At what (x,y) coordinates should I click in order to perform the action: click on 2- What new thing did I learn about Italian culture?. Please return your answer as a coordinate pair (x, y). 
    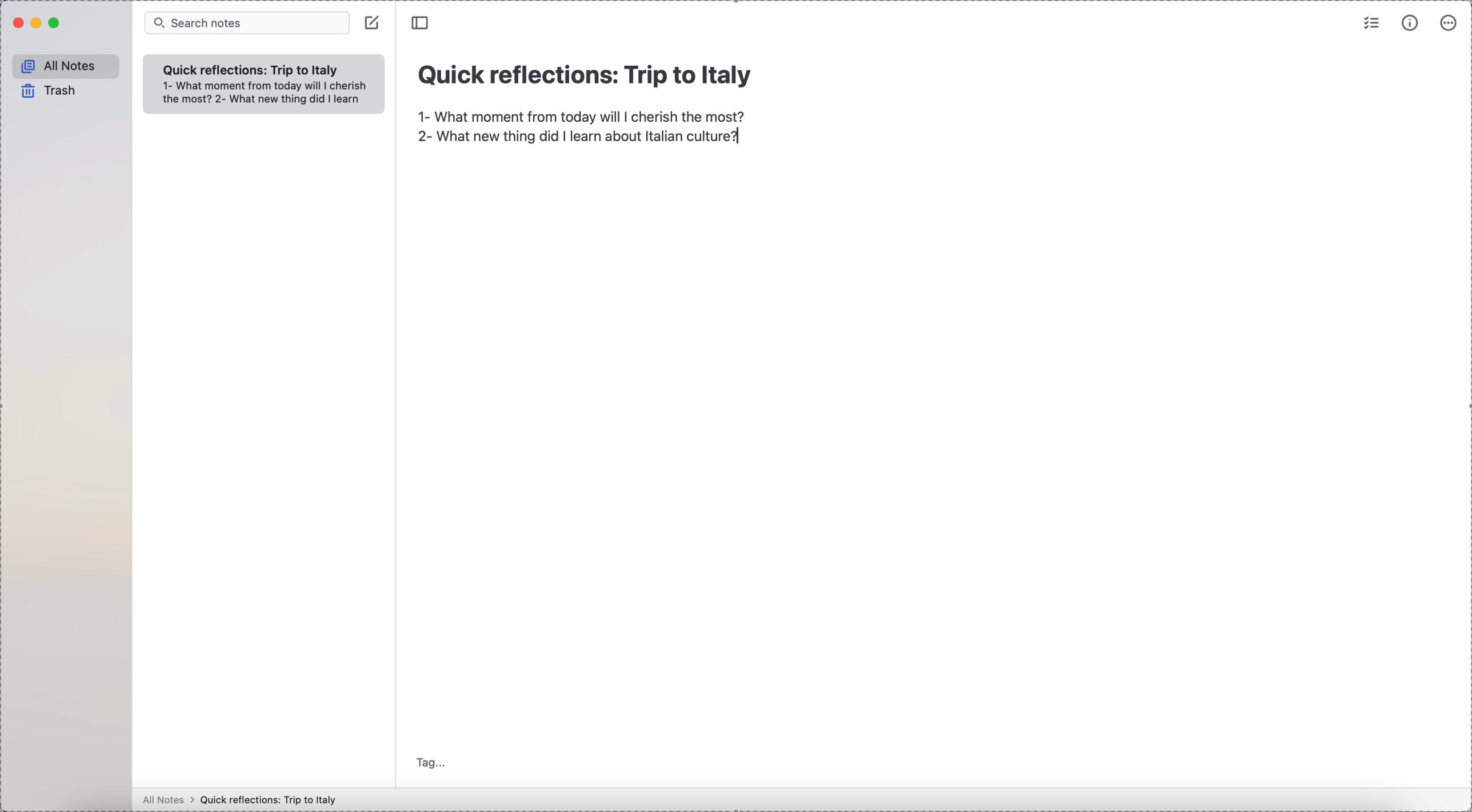
    Looking at the image, I should click on (263, 100).